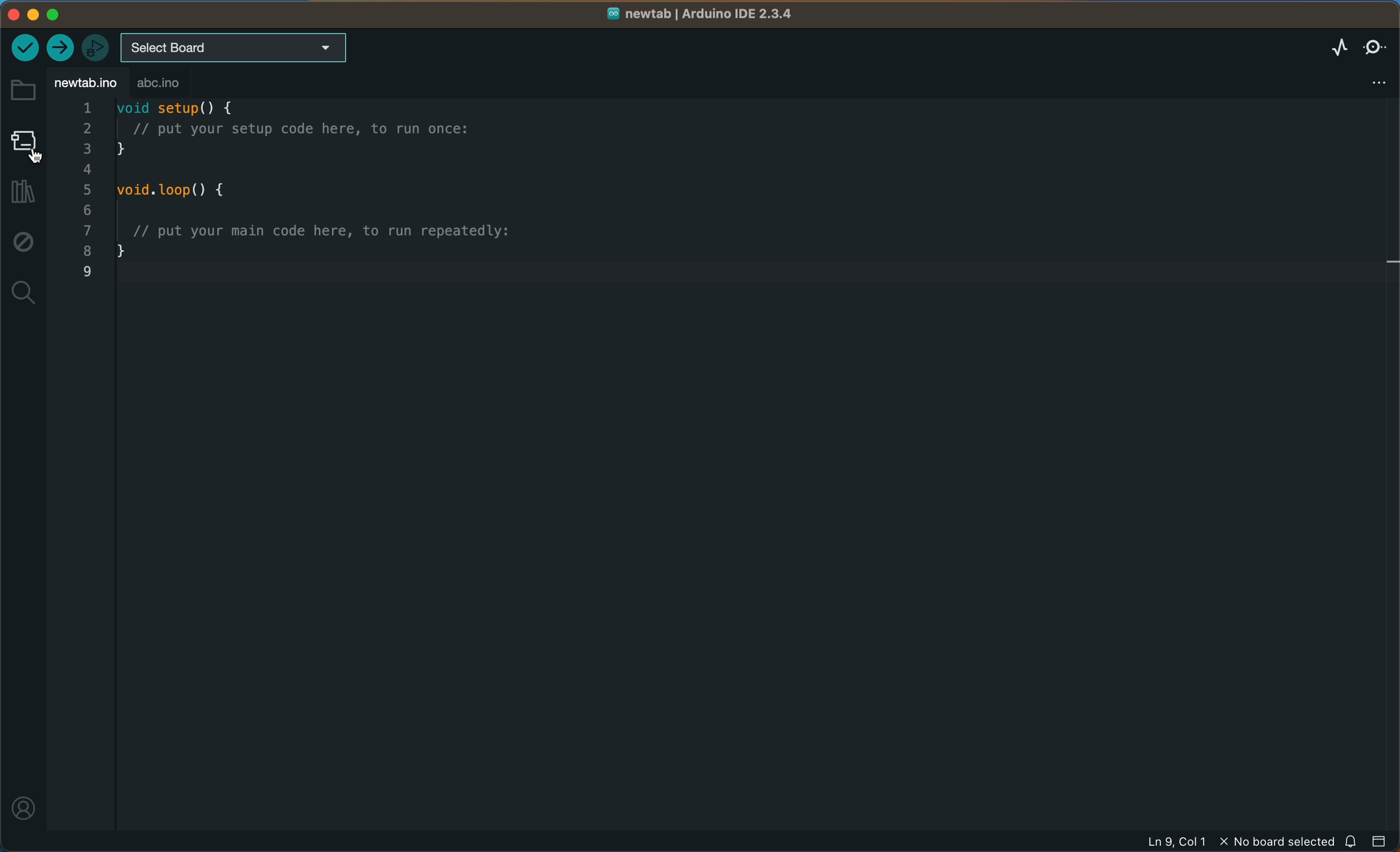 The image size is (1400, 852). What do you see at coordinates (23, 813) in the screenshot?
I see `profile` at bounding box center [23, 813].